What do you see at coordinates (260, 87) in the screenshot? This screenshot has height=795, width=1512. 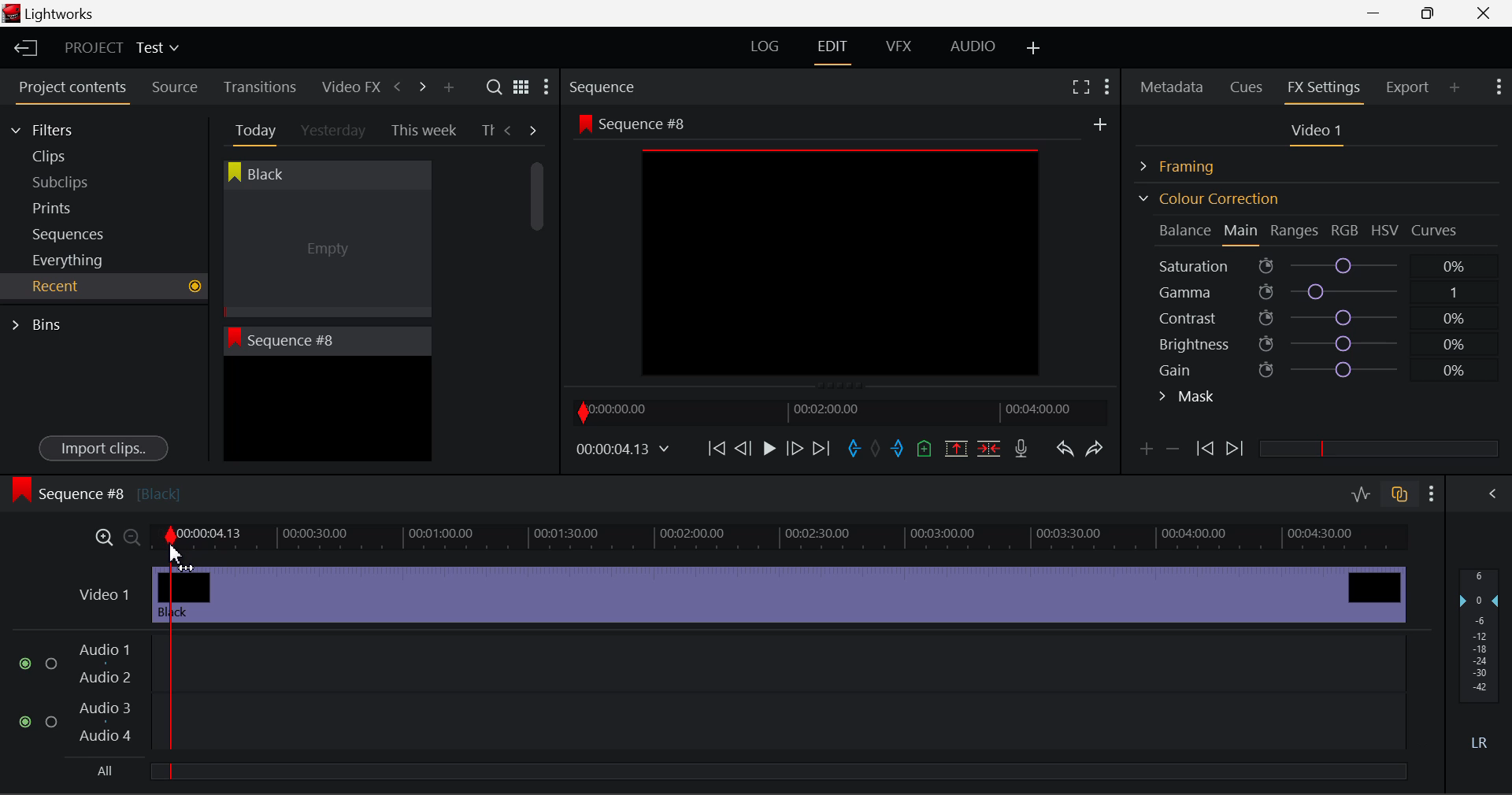 I see `Transitions` at bounding box center [260, 87].